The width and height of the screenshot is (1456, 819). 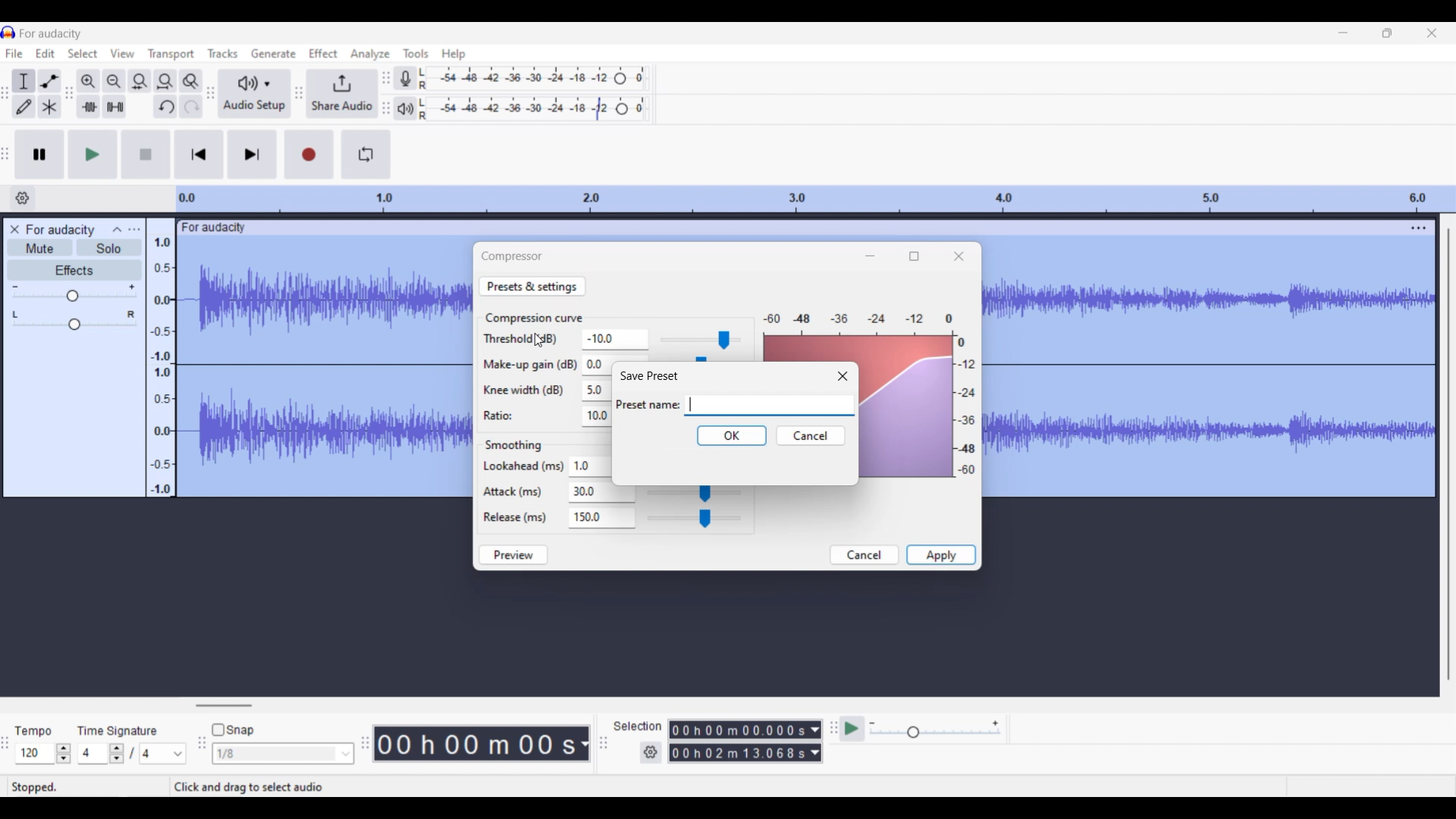 I want to click on Software logo, so click(x=8, y=33).